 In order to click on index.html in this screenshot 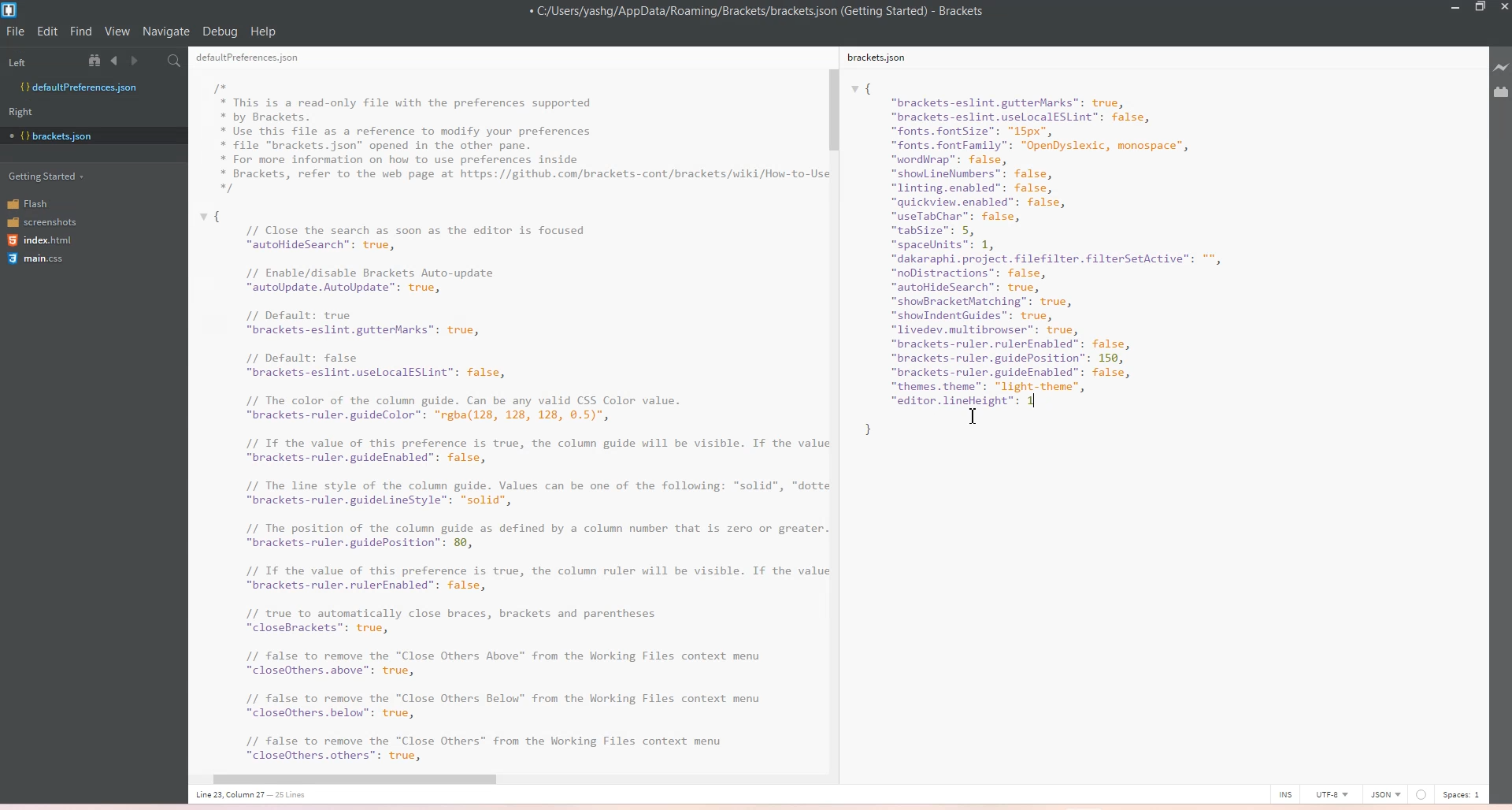, I will do `click(42, 241)`.